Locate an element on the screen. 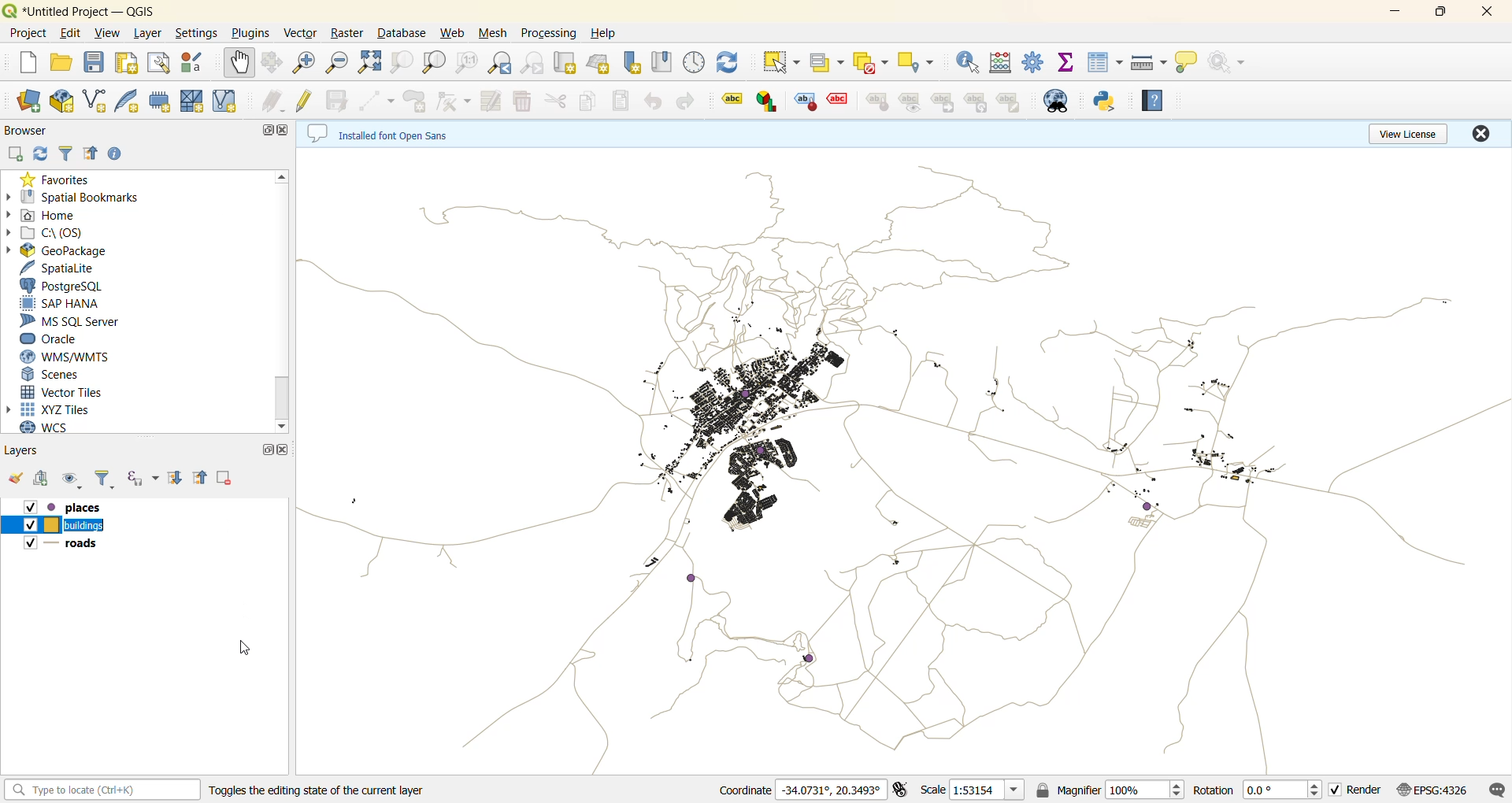 The width and height of the screenshot is (1512, 803). modify is located at coordinates (496, 99).